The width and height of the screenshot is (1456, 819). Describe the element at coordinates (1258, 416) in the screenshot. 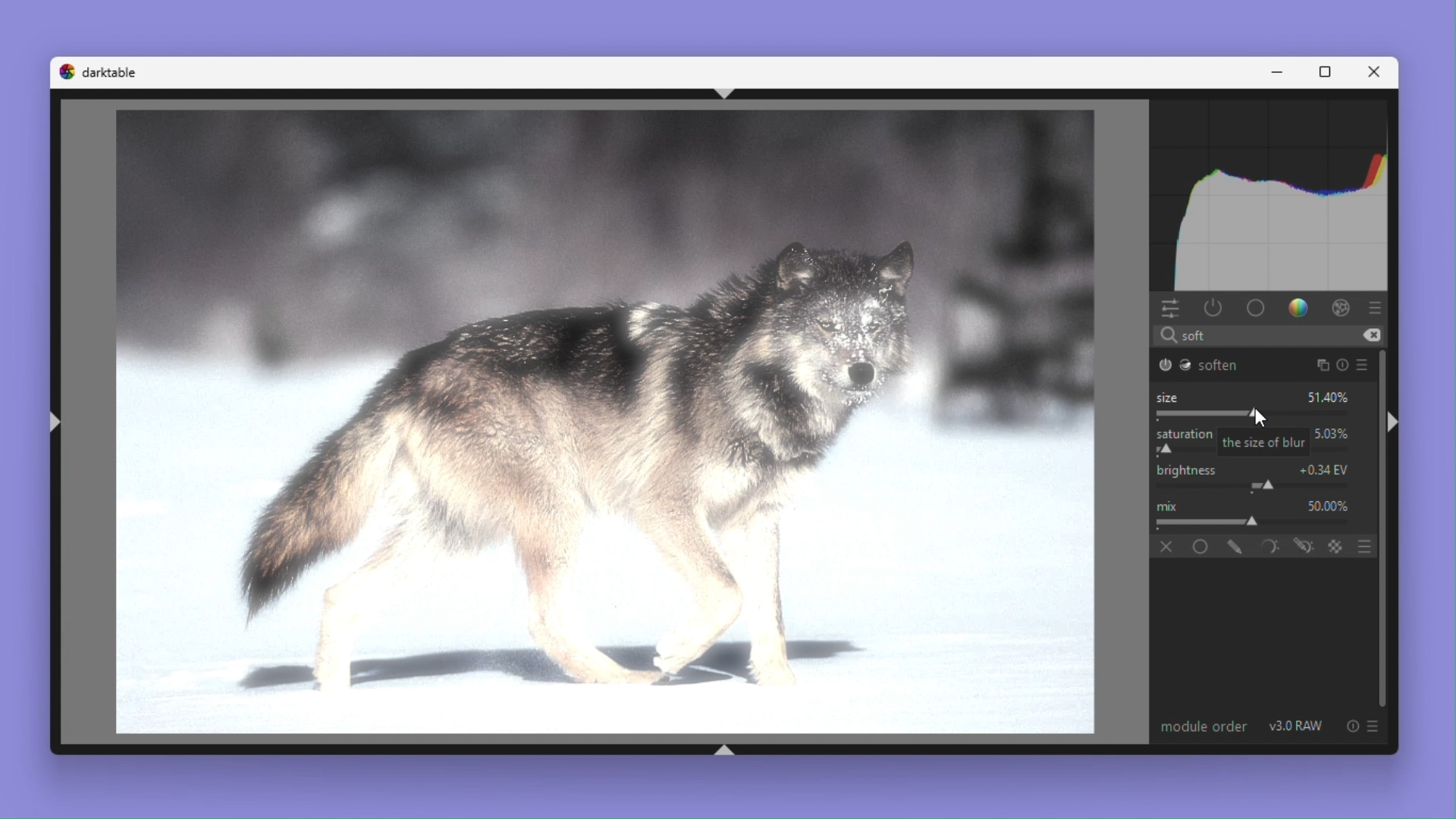

I see `cursor` at that location.